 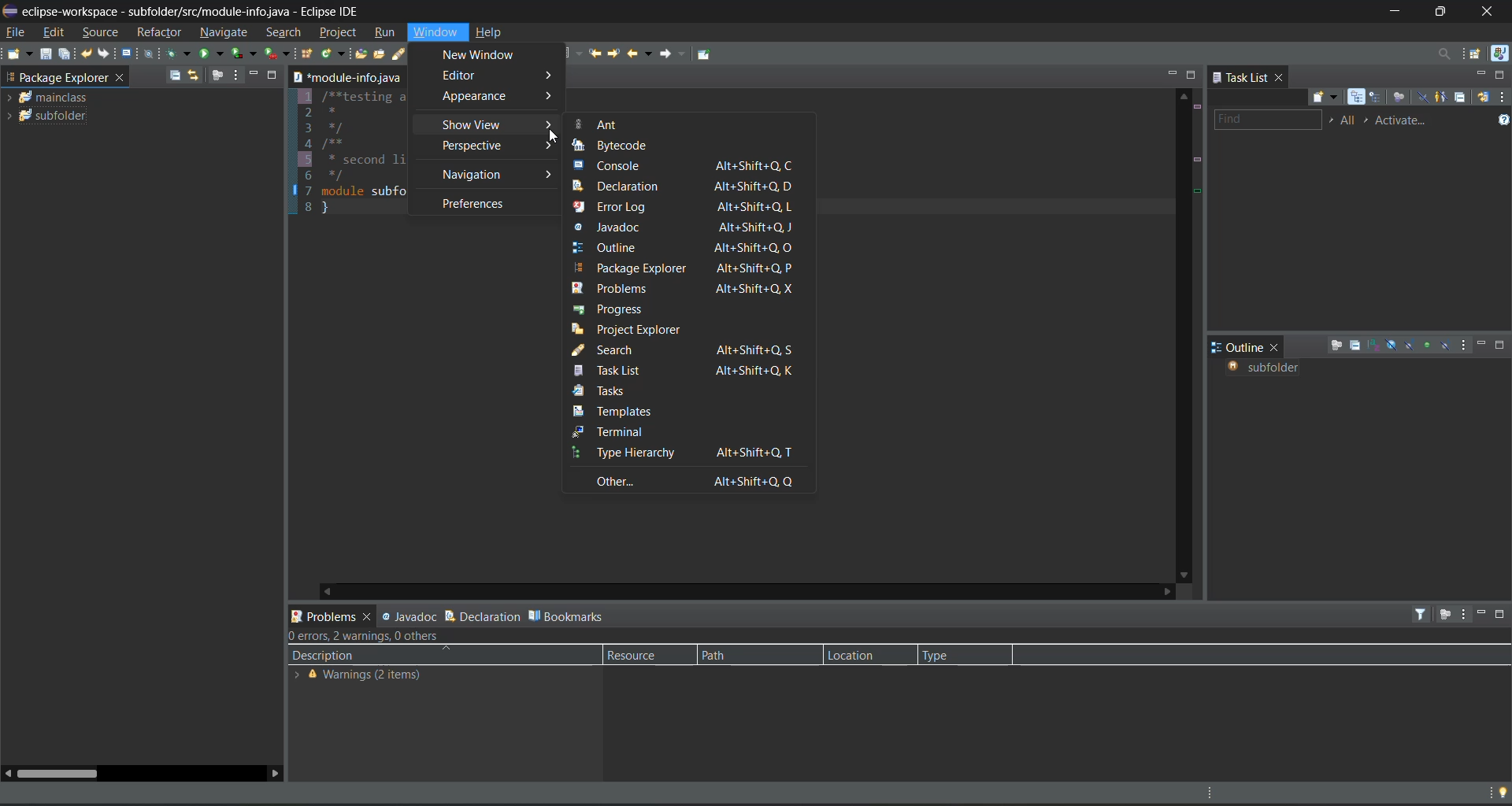 What do you see at coordinates (1503, 99) in the screenshot?
I see `view menu` at bounding box center [1503, 99].